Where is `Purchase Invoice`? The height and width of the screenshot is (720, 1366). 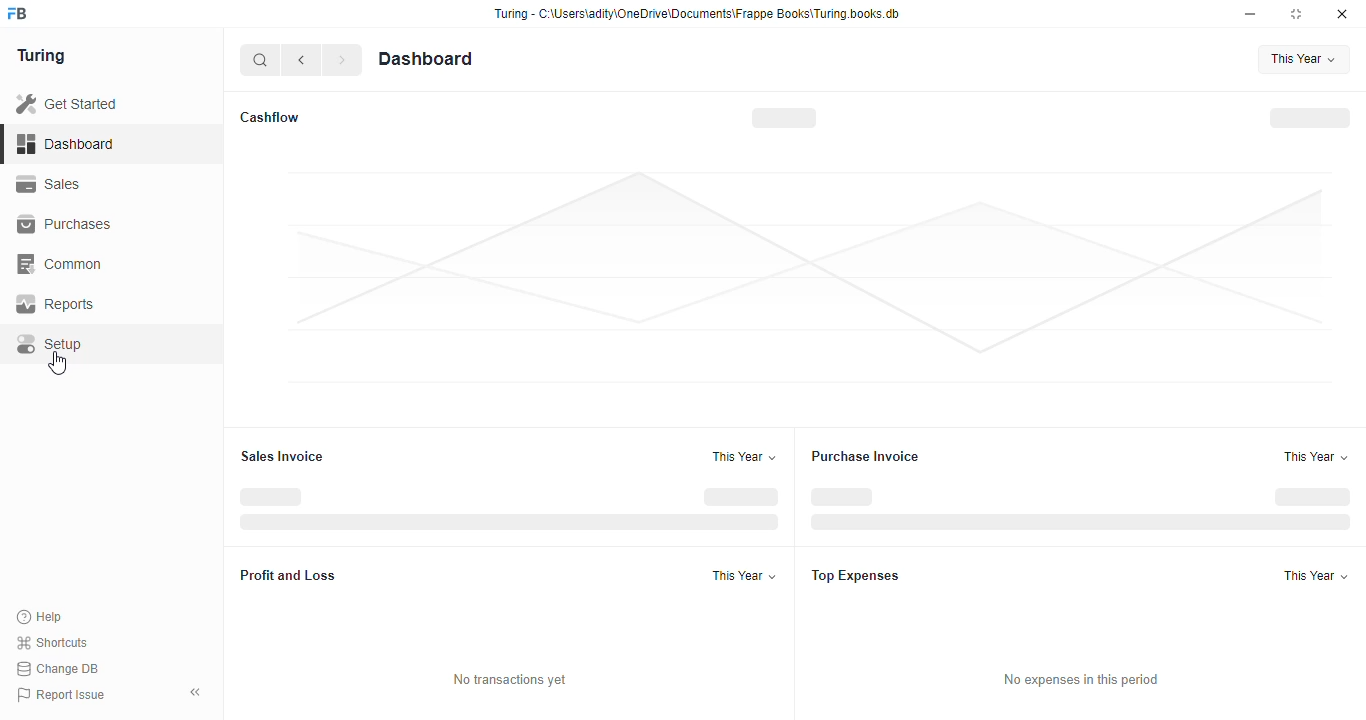 Purchase Invoice is located at coordinates (873, 457).